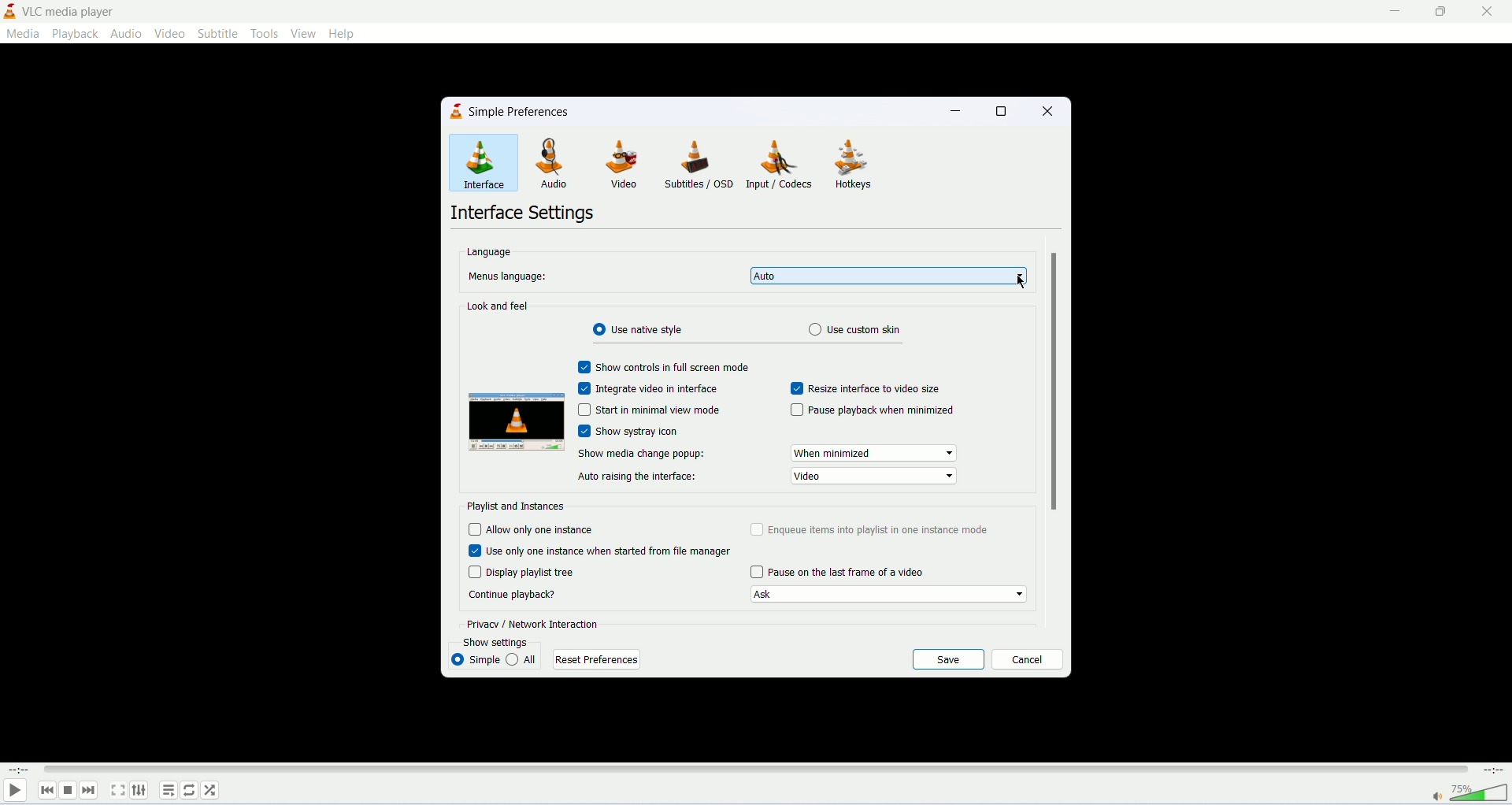 Image resolution: width=1512 pixels, height=805 pixels. I want to click on tools, so click(267, 33).